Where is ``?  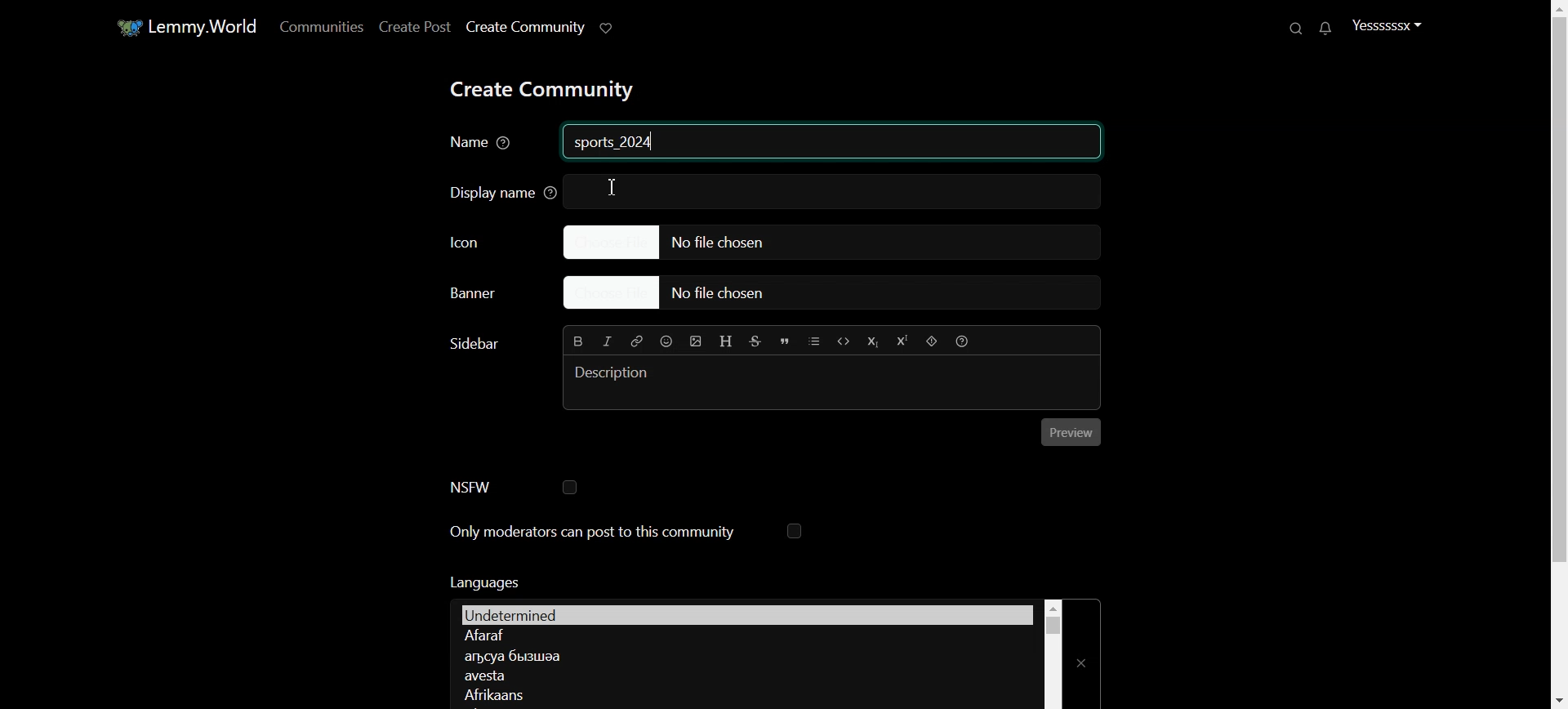
 is located at coordinates (544, 91).